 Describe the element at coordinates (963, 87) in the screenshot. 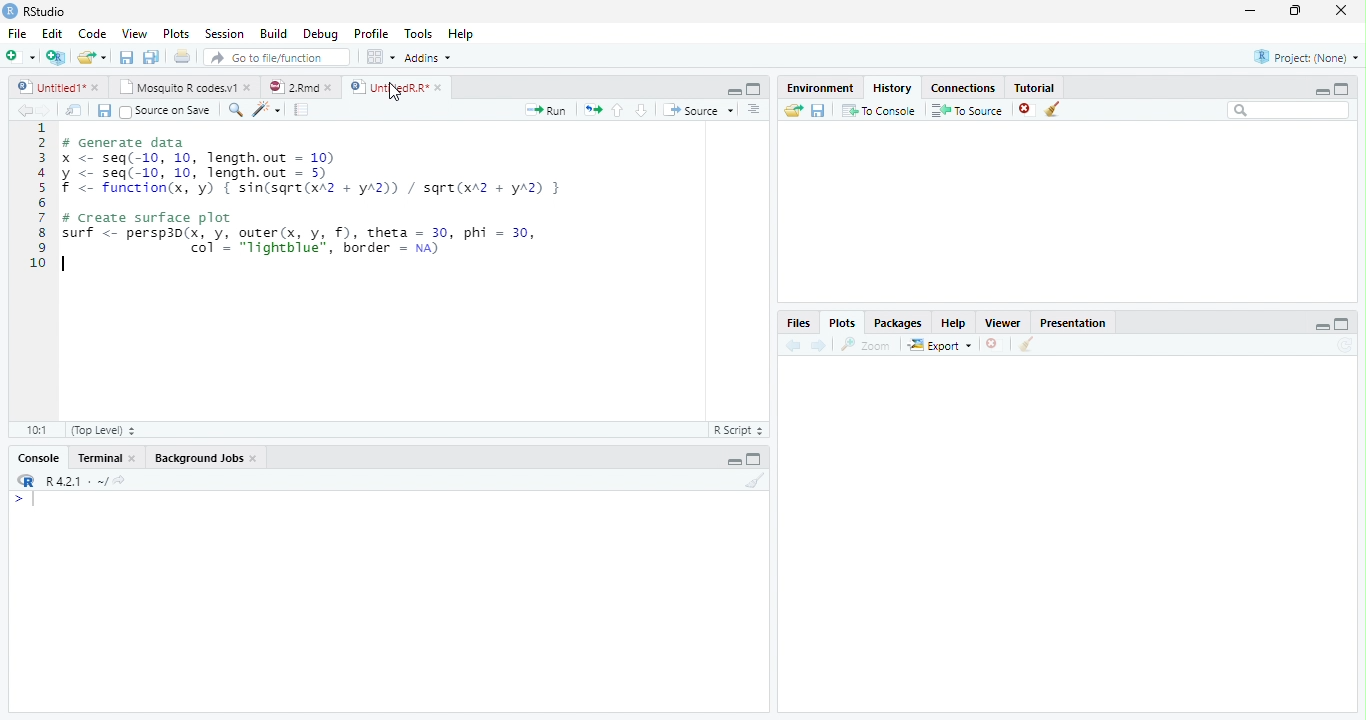

I see `Connections` at that location.